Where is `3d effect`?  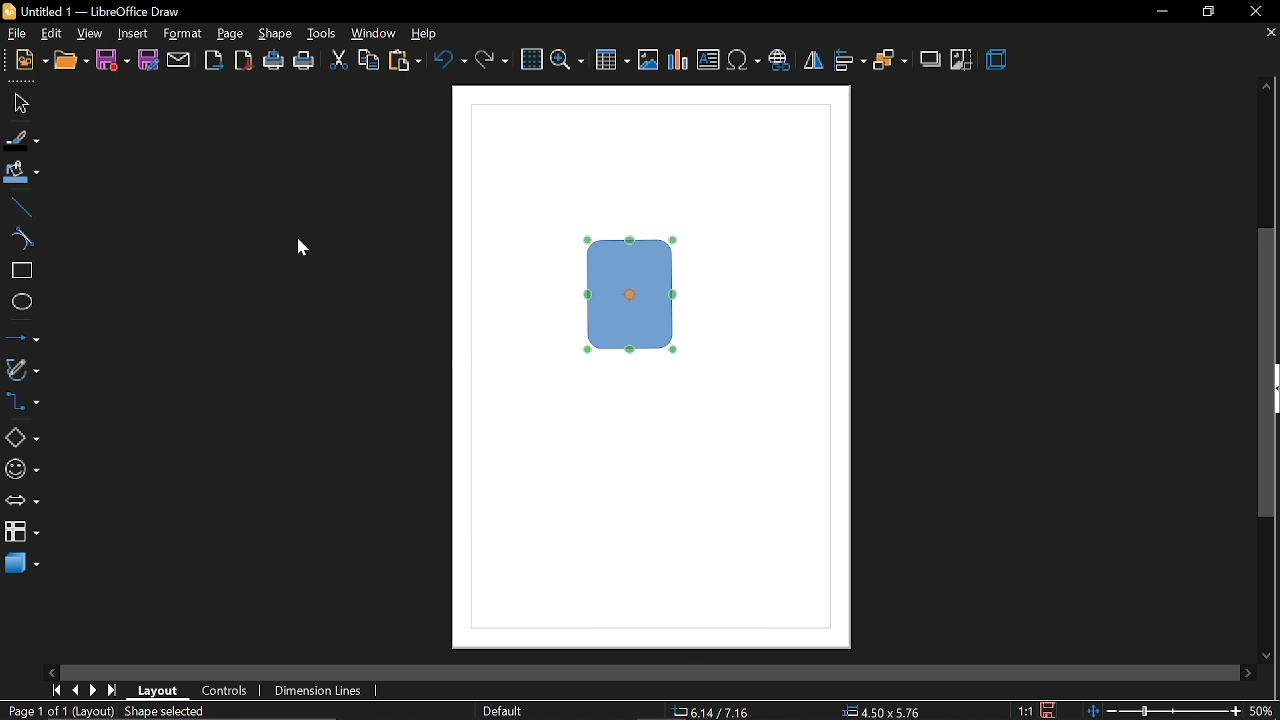
3d effect is located at coordinates (1000, 60).